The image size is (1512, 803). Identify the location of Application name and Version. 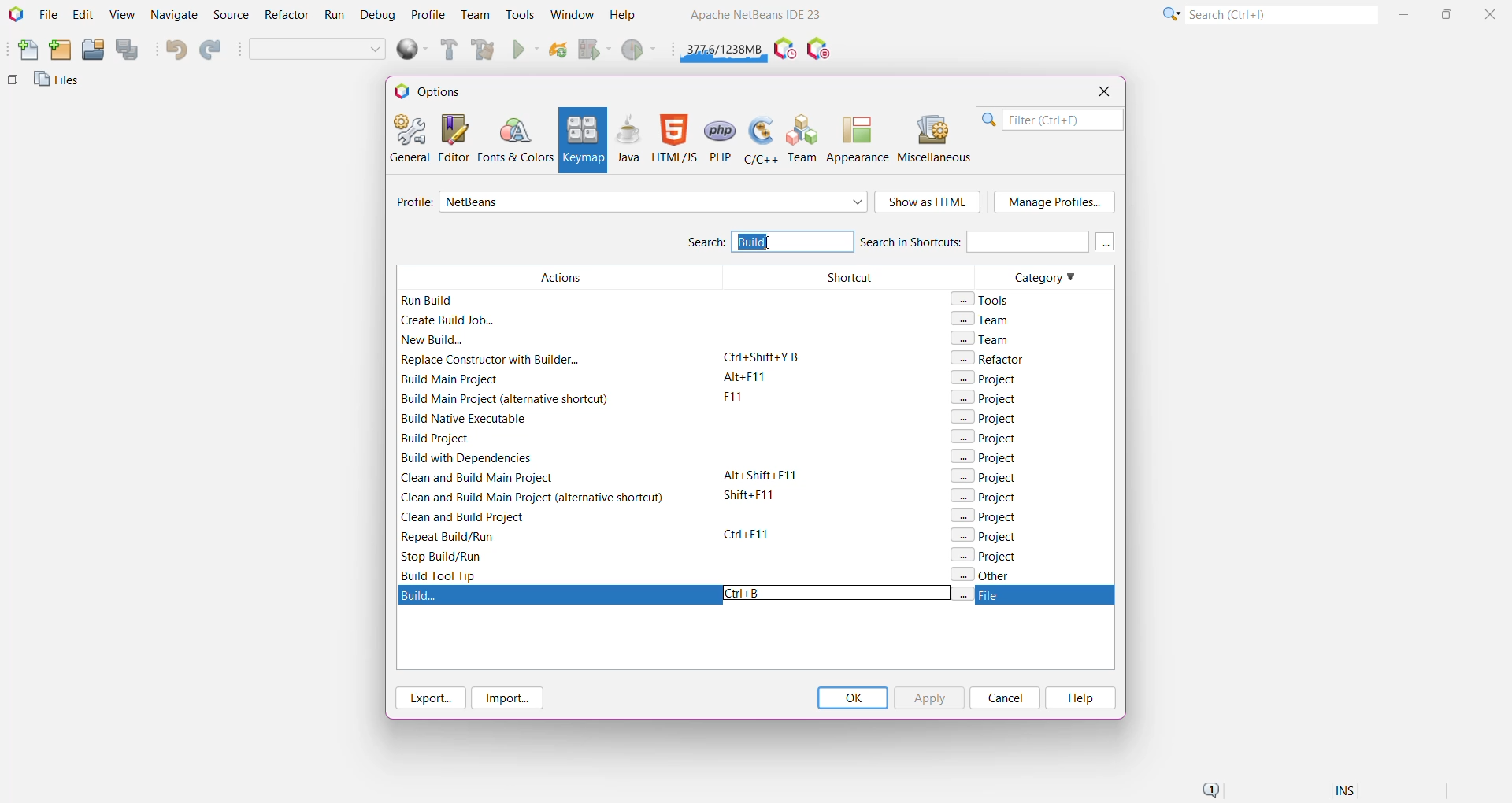
(754, 17).